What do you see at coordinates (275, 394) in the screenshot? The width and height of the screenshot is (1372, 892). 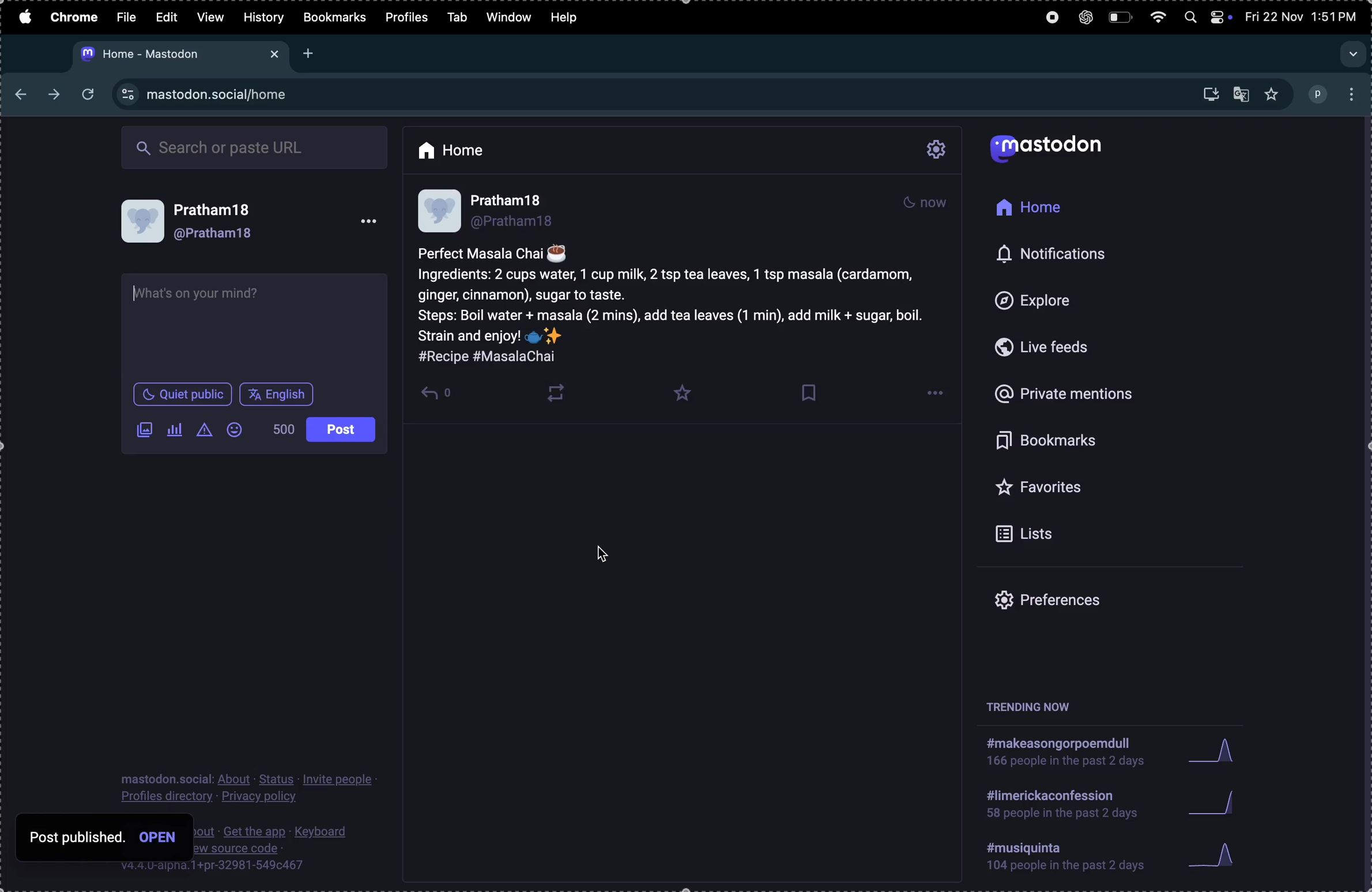 I see `english` at bounding box center [275, 394].